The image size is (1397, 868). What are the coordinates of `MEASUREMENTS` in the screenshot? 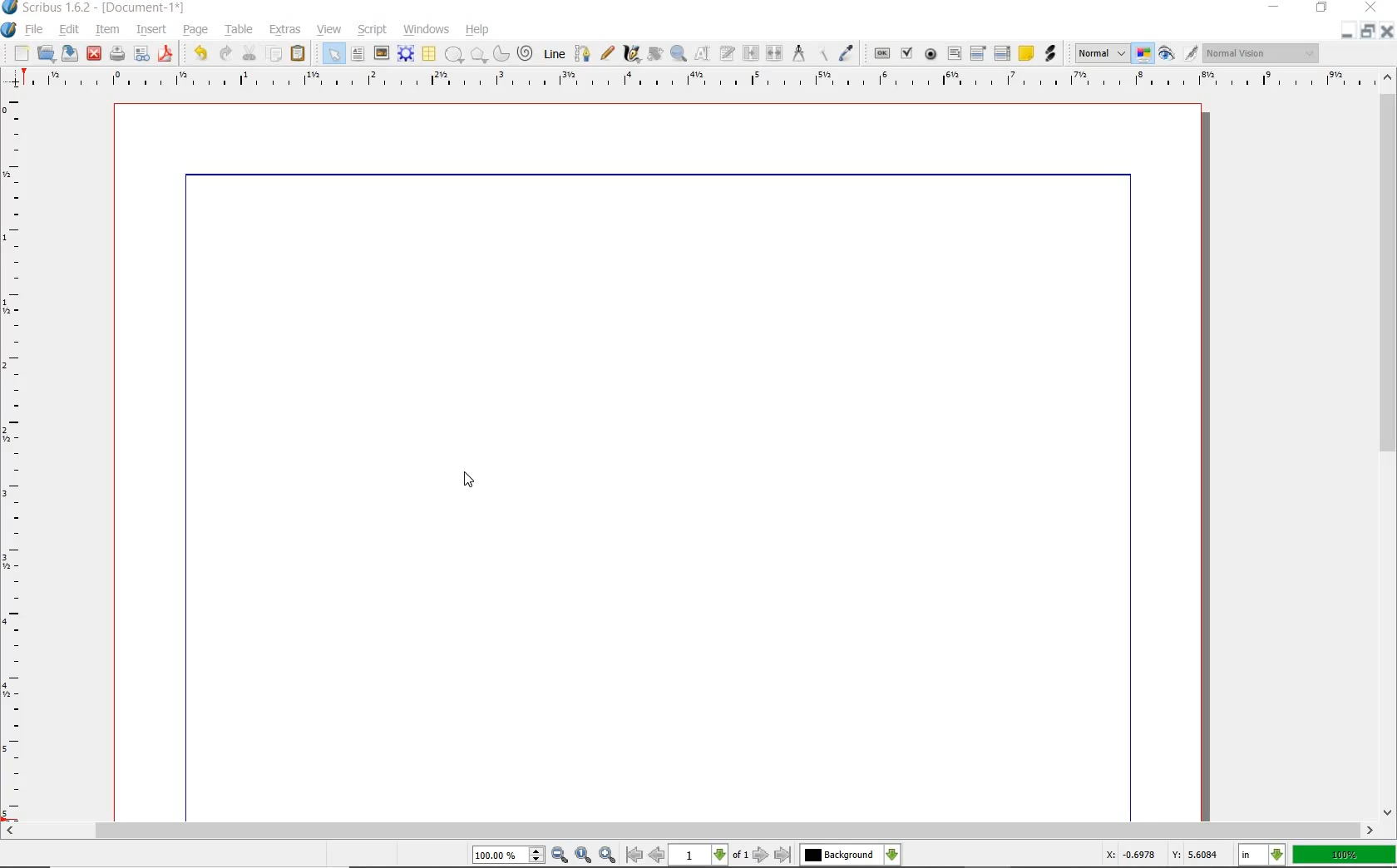 It's located at (798, 54).